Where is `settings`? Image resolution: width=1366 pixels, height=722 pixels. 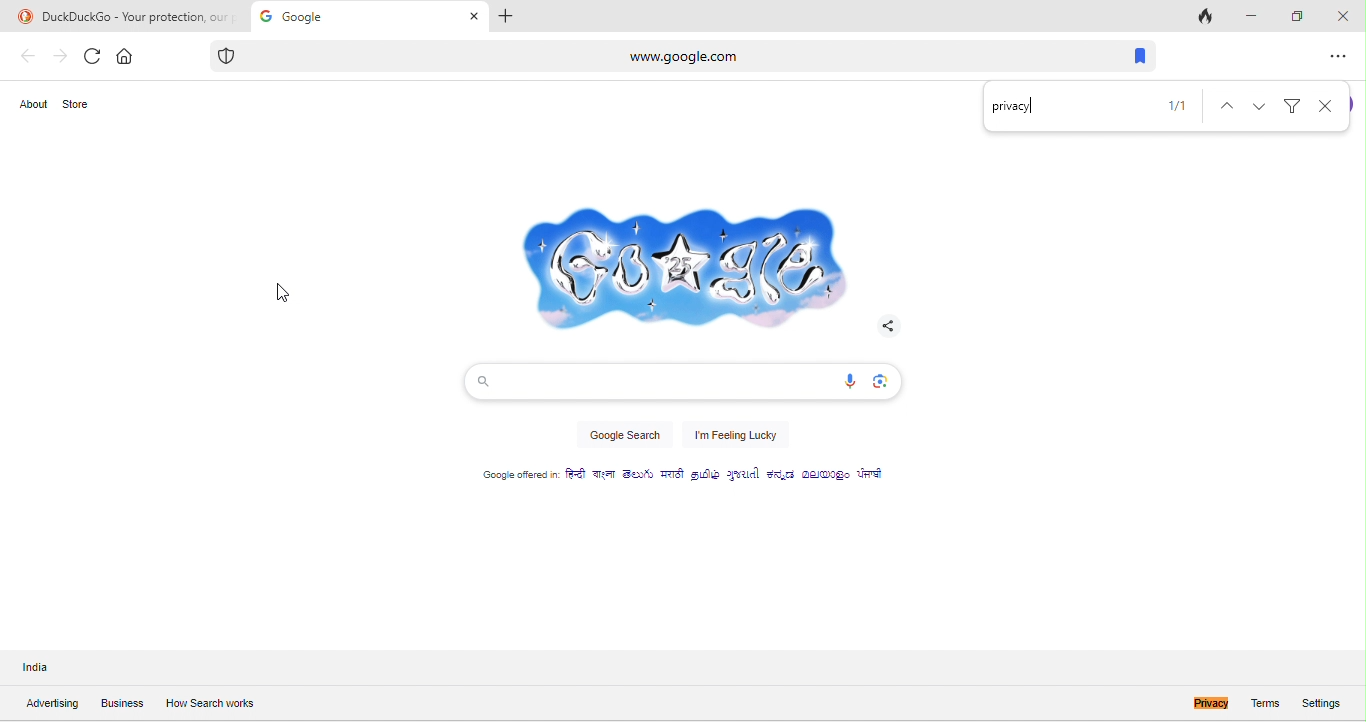 settings is located at coordinates (1330, 701).